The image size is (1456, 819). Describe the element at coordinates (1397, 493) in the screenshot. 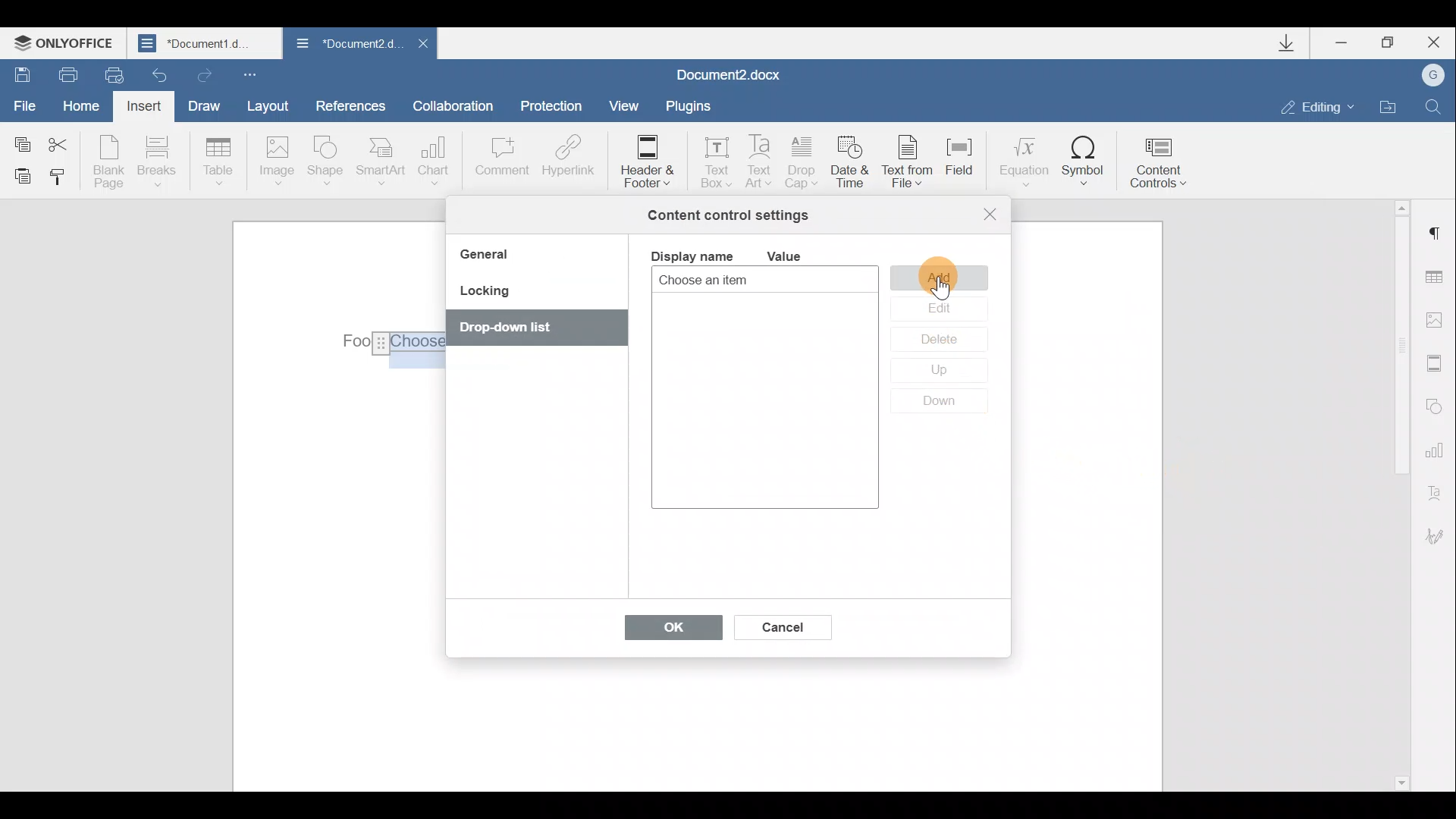

I see `Scroll bar` at that location.